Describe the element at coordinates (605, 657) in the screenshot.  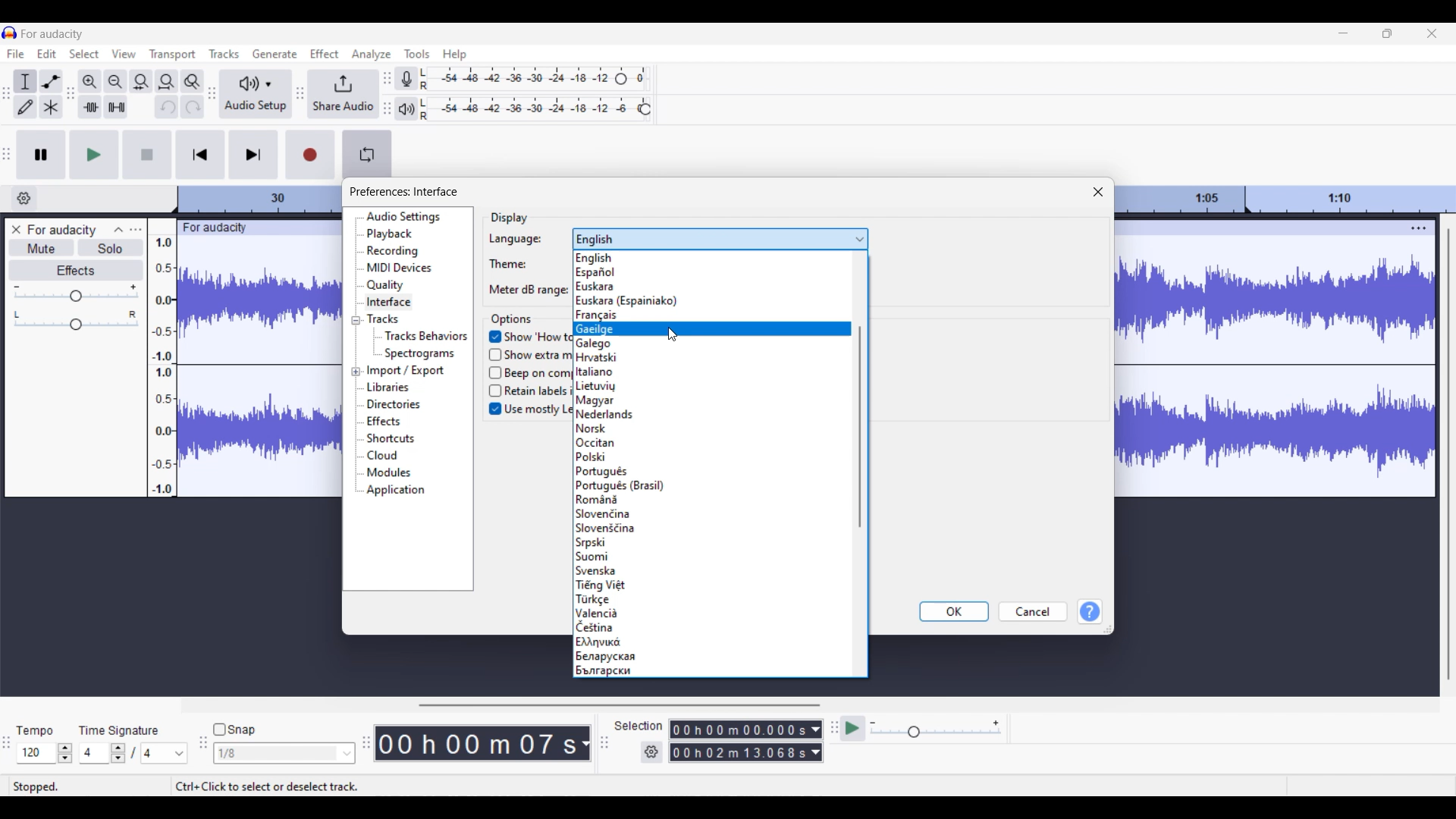
I see `J benapycxan` at that location.